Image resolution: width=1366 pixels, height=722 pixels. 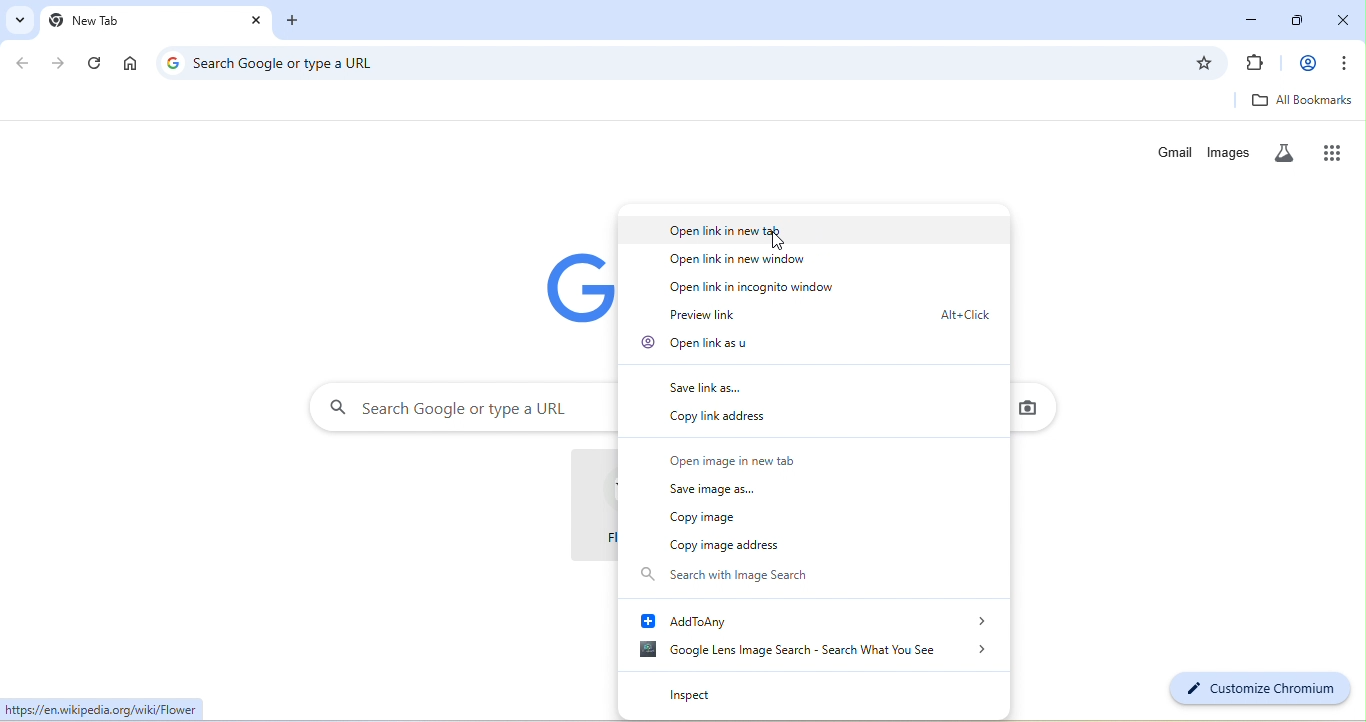 What do you see at coordinates (1255, 64) in the screenshot?
I see `extensions` at bounding box center [1255, 64].